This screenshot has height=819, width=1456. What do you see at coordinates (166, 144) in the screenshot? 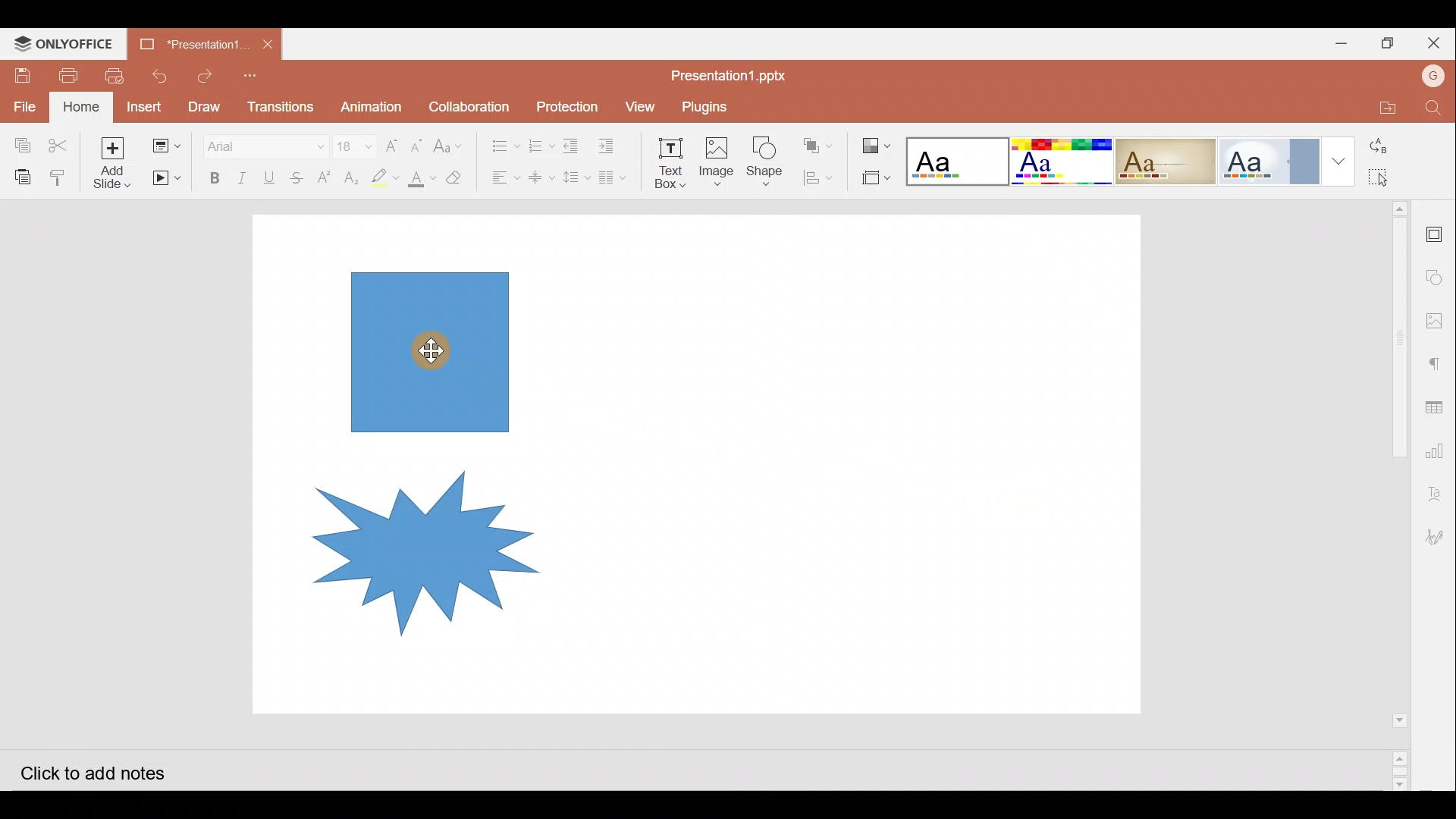
I see `Change slide layout` at bounding box center [166, 144].